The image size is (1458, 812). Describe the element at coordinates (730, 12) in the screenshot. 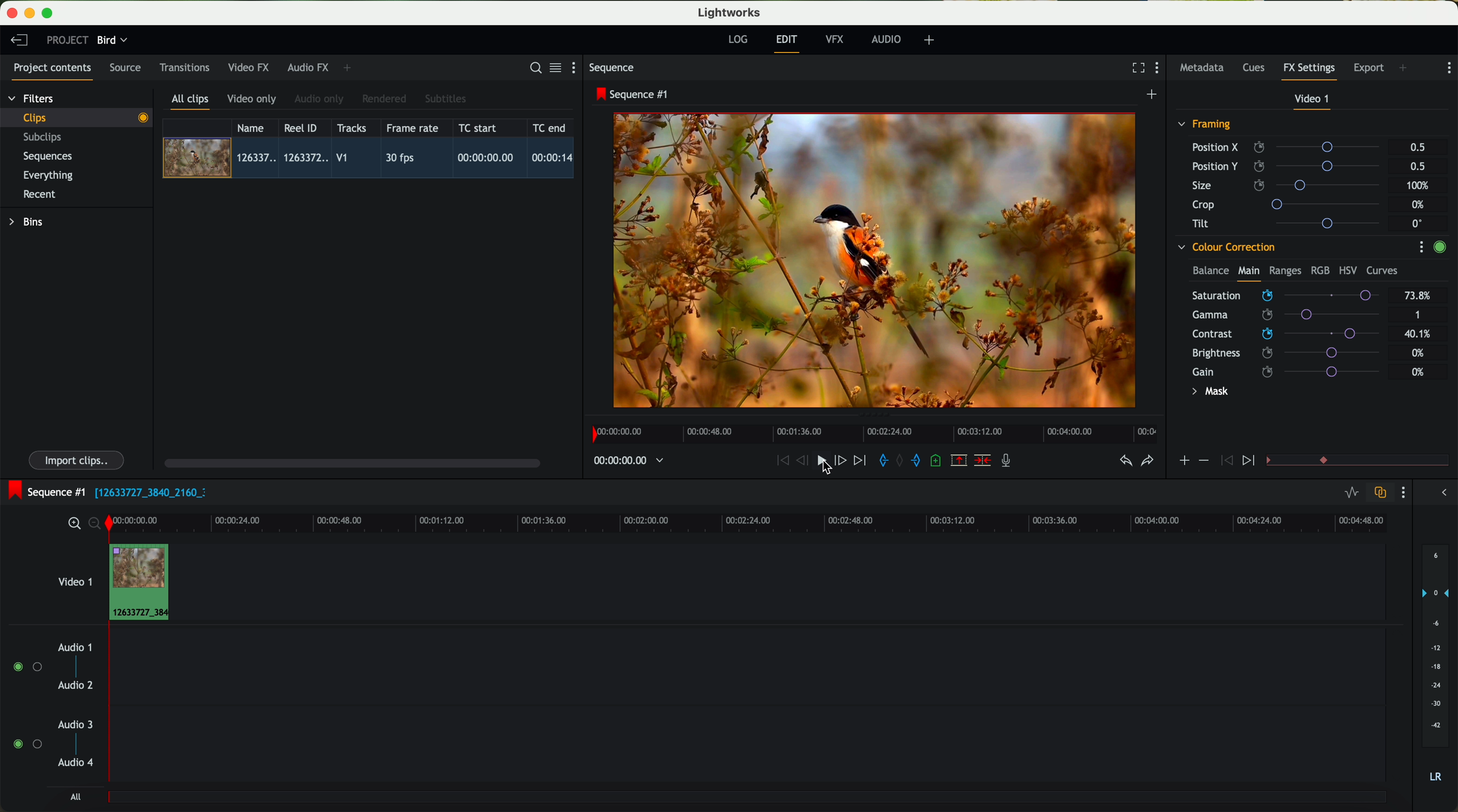

I see `Lightworks` at that location.